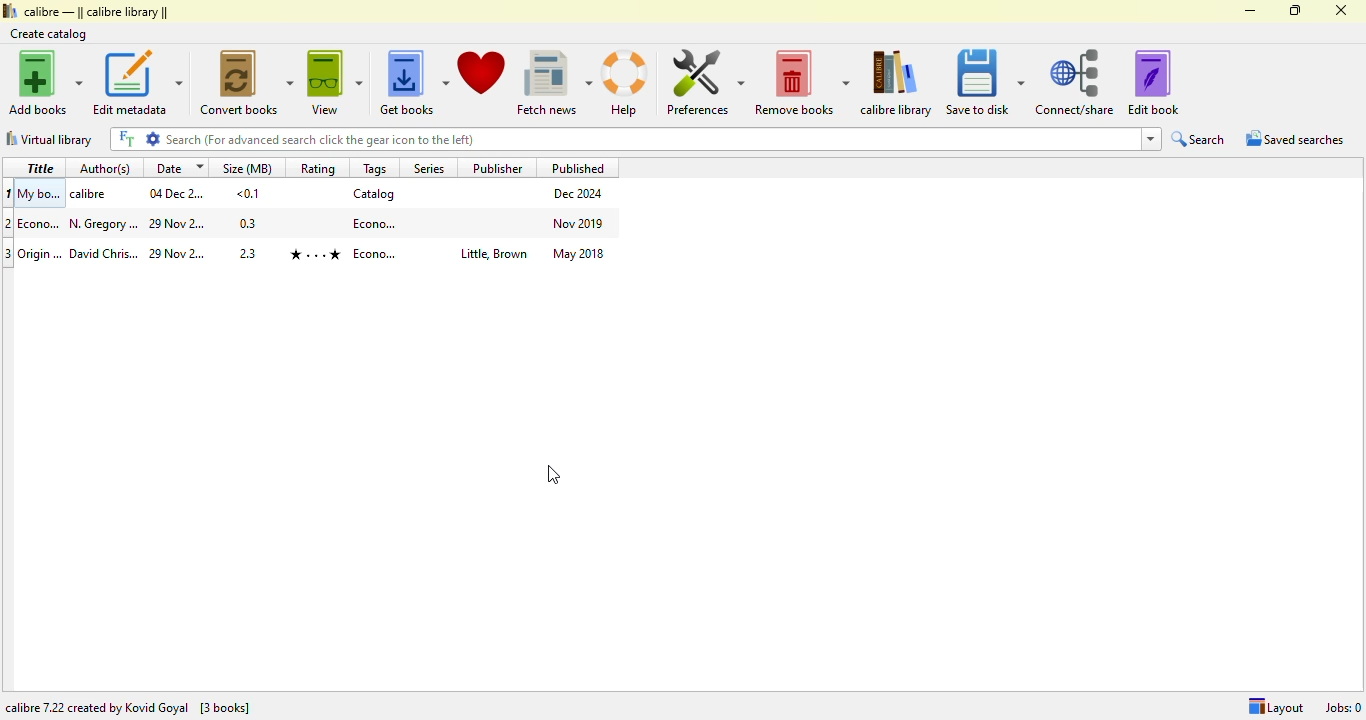 Image resolution: width=1366 pixels, height=720 pixels. What do you see at coordinates (90, 47) in the screenshot?
I see `cursor` at bounding box center [90, 47].